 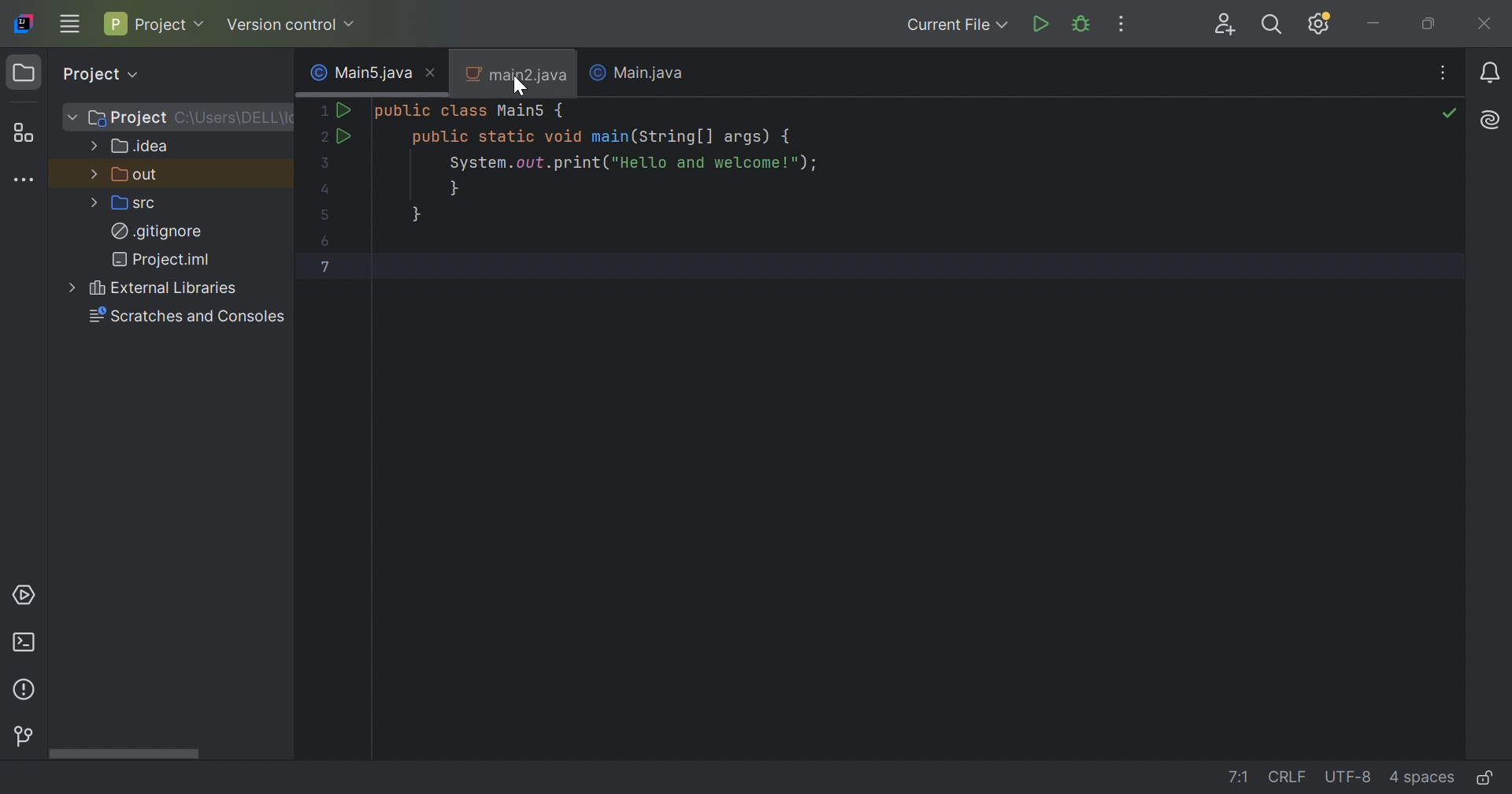 I want to click on Run, so click(x=1042, y=21).